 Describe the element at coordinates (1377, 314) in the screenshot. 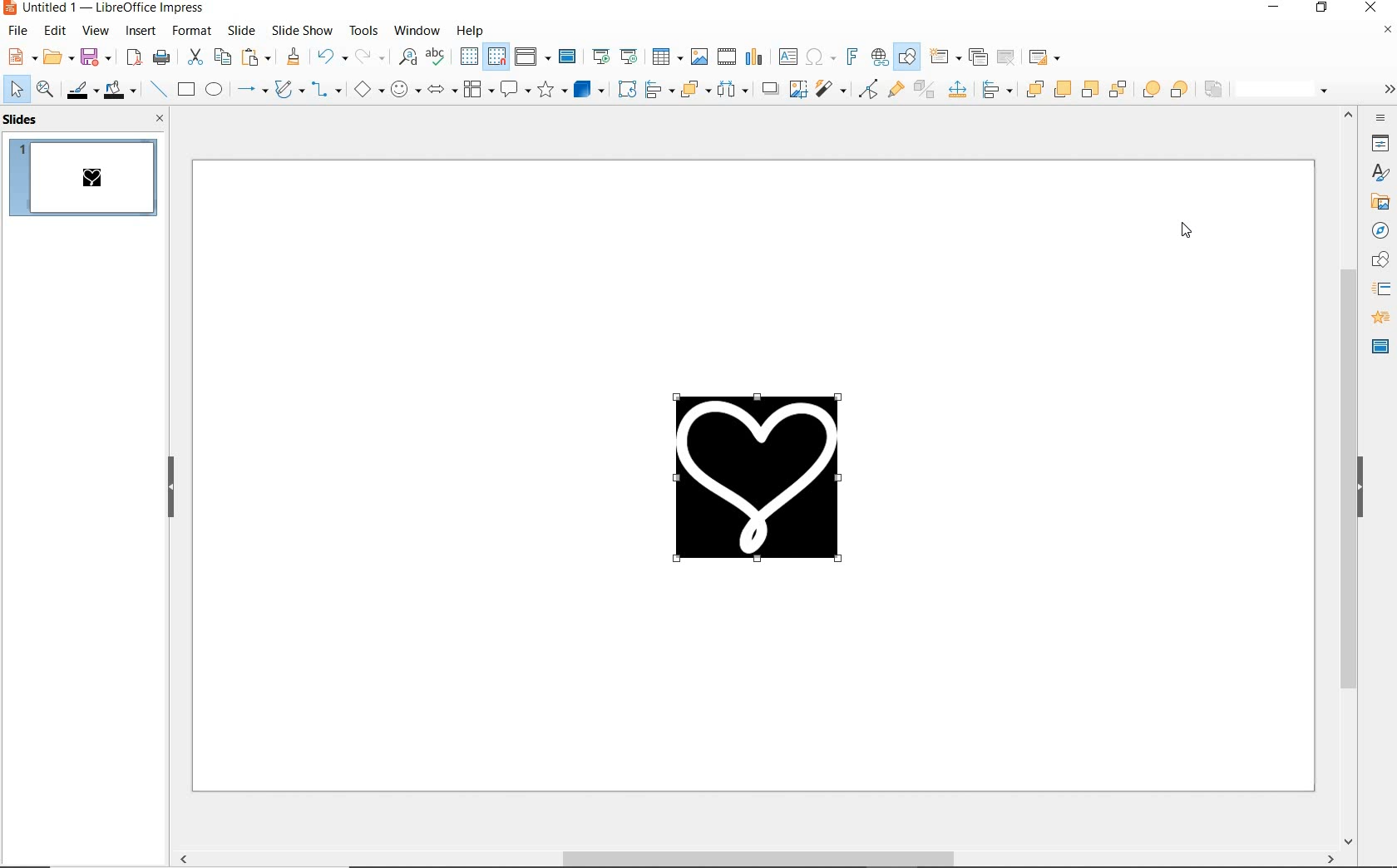

I see `posterize` at that location.